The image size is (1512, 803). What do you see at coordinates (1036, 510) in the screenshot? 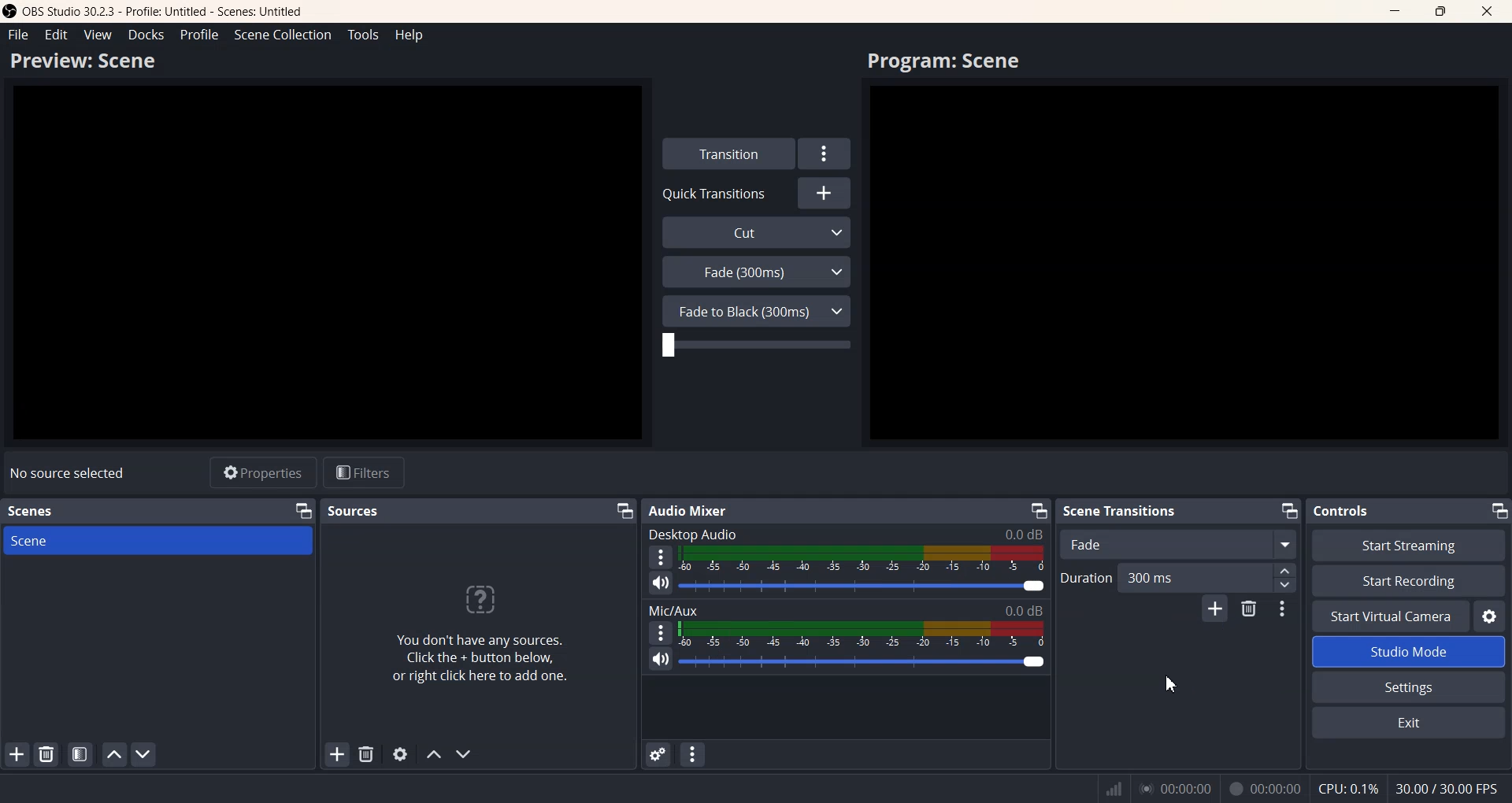
I see `Minimize` at bounding box center [1036, 510].